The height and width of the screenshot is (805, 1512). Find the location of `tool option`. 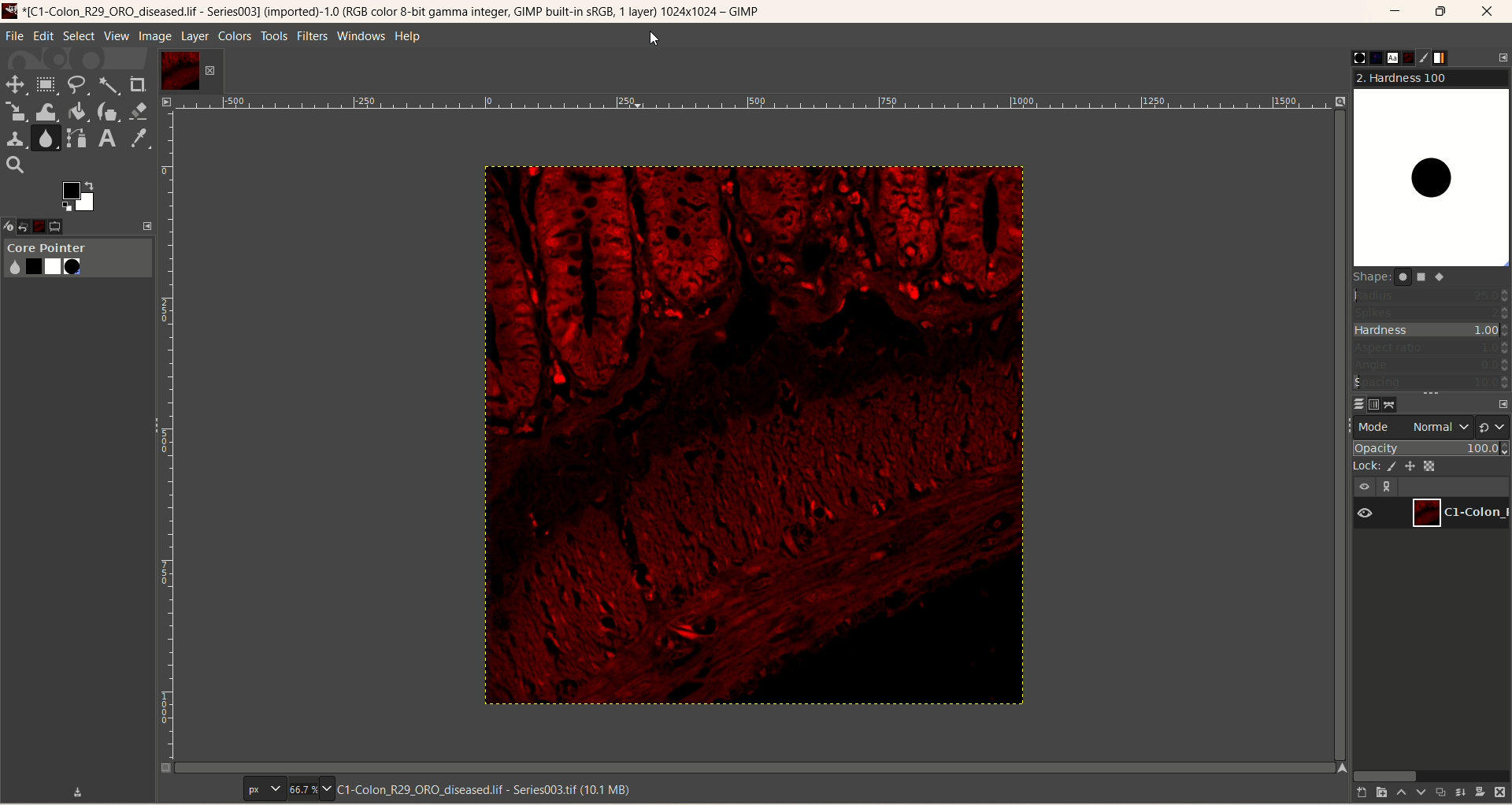

tool option is located at coordinates (70, 228).